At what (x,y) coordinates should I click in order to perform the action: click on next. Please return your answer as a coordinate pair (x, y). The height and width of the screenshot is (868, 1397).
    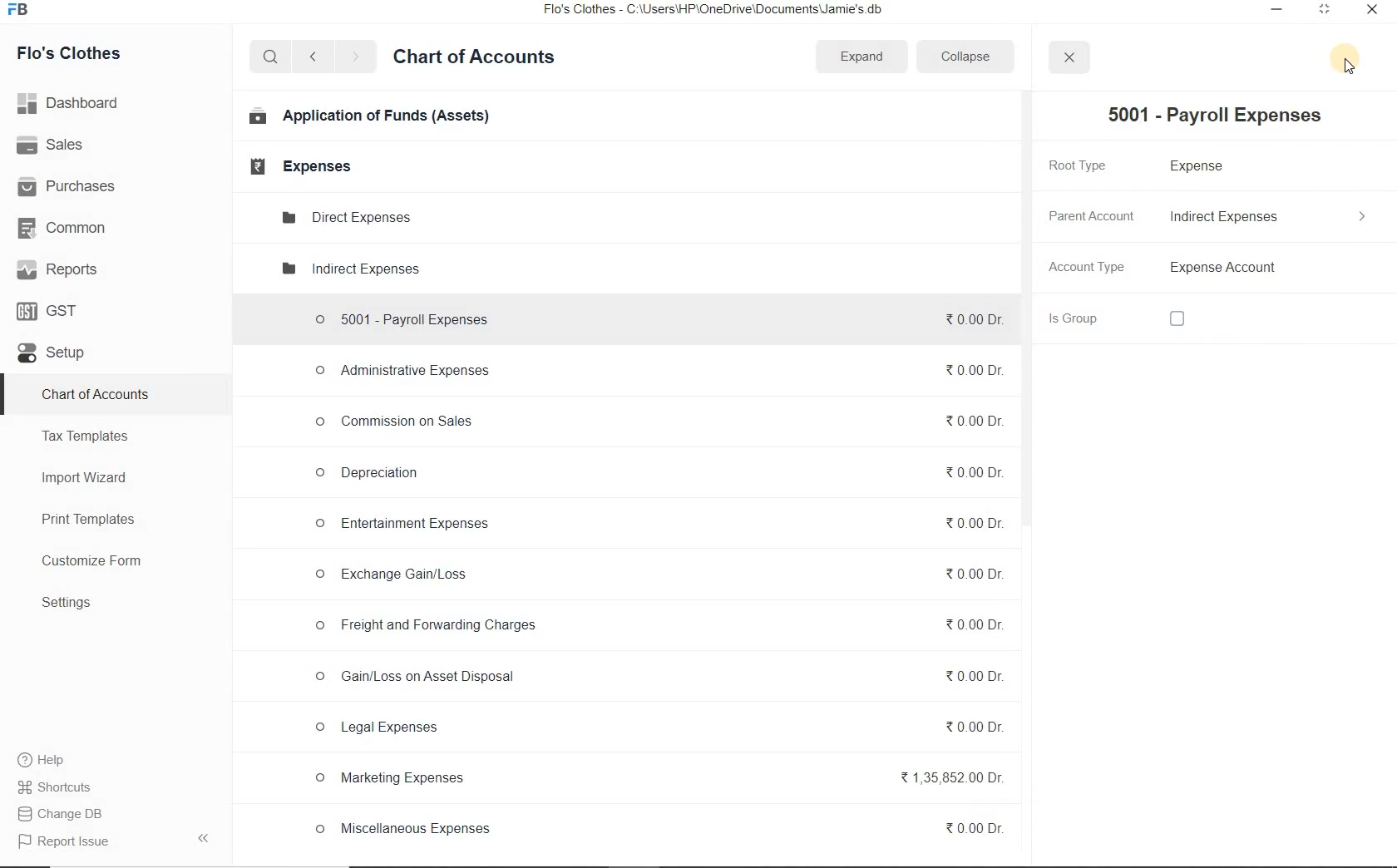
    Looking at the image, I should click on (355, 58).